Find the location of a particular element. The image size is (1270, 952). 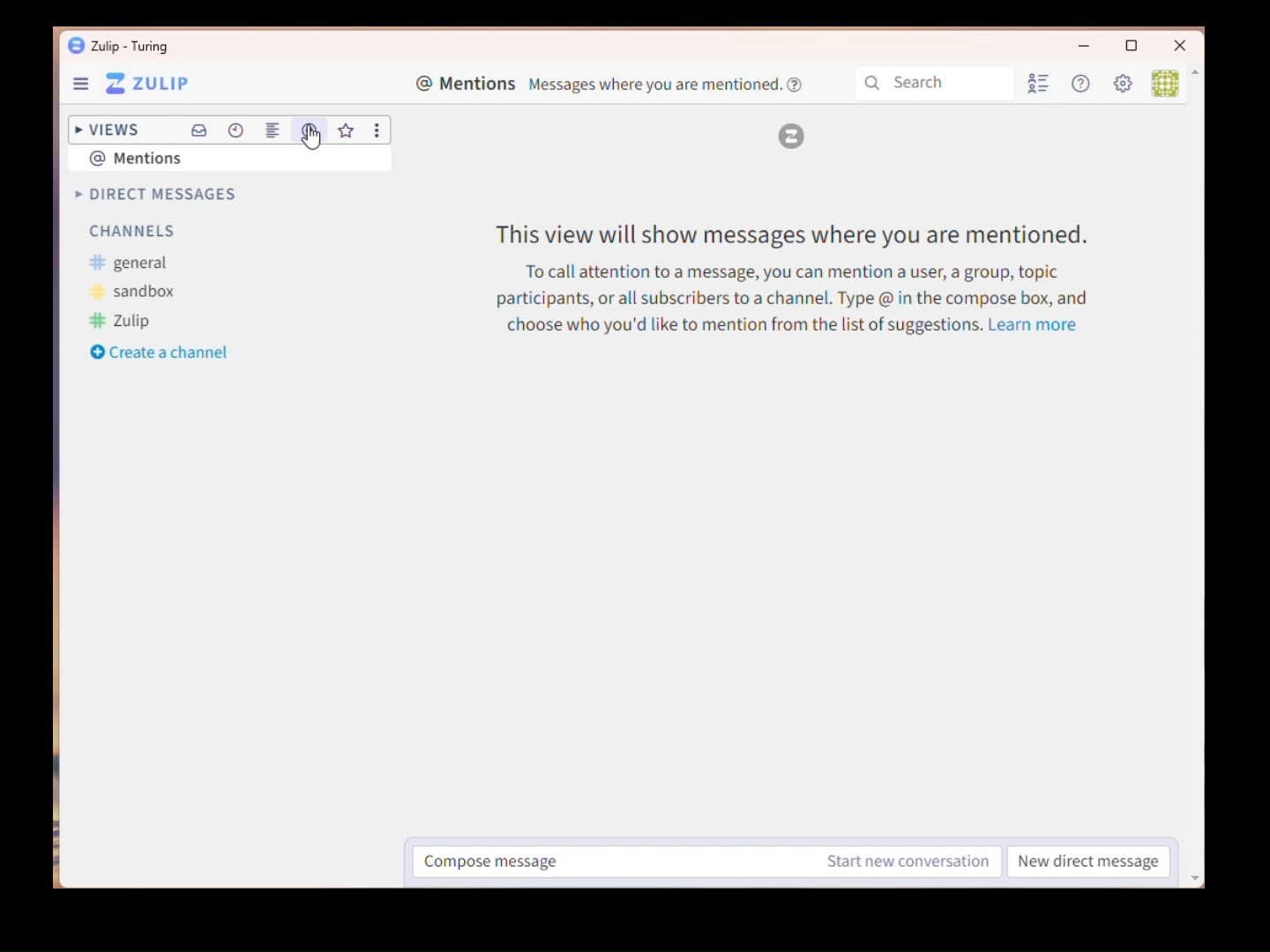

Filter is located at coordinates (786, 132).